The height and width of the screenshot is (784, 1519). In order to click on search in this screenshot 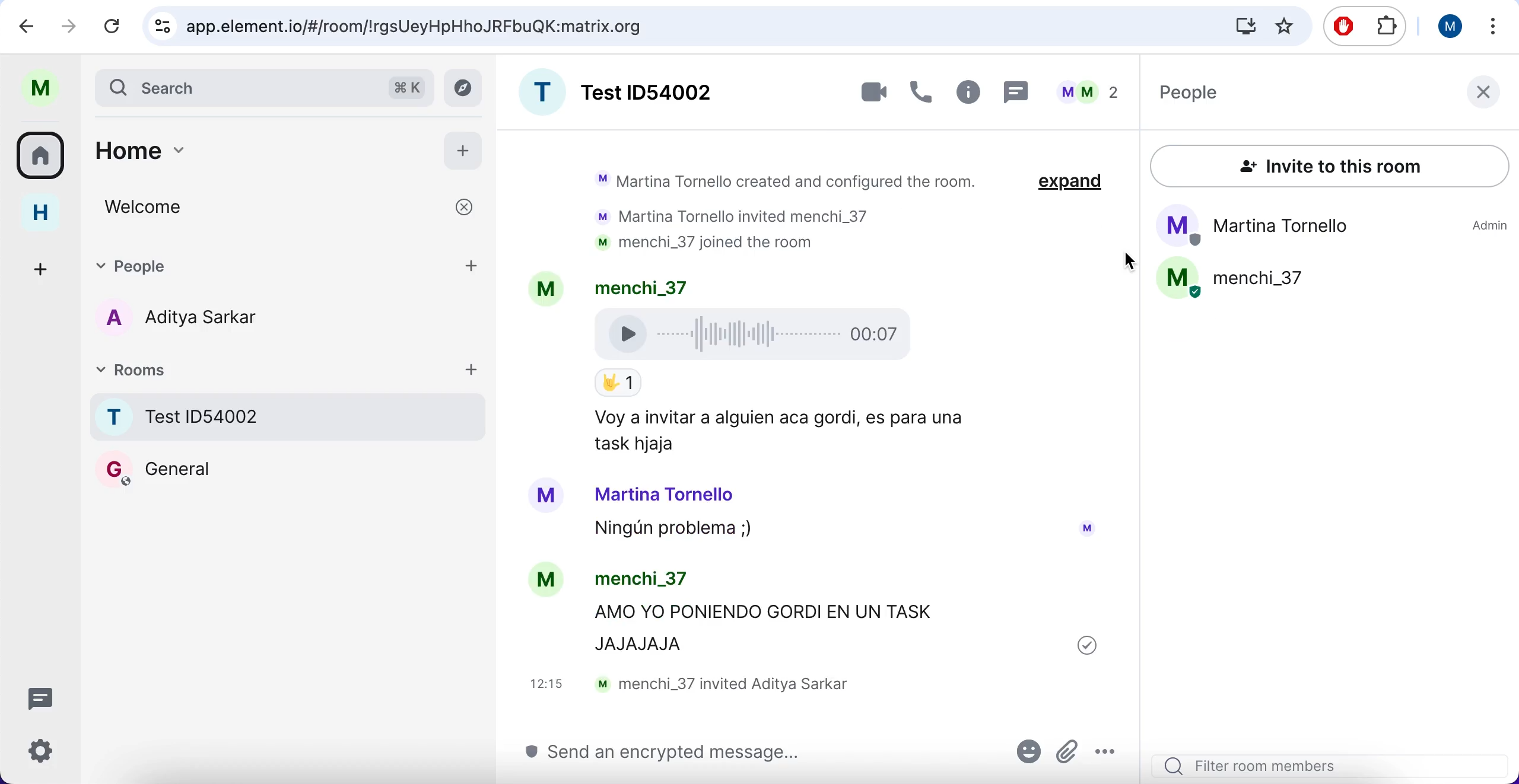, I will do `click(674, 26)`.